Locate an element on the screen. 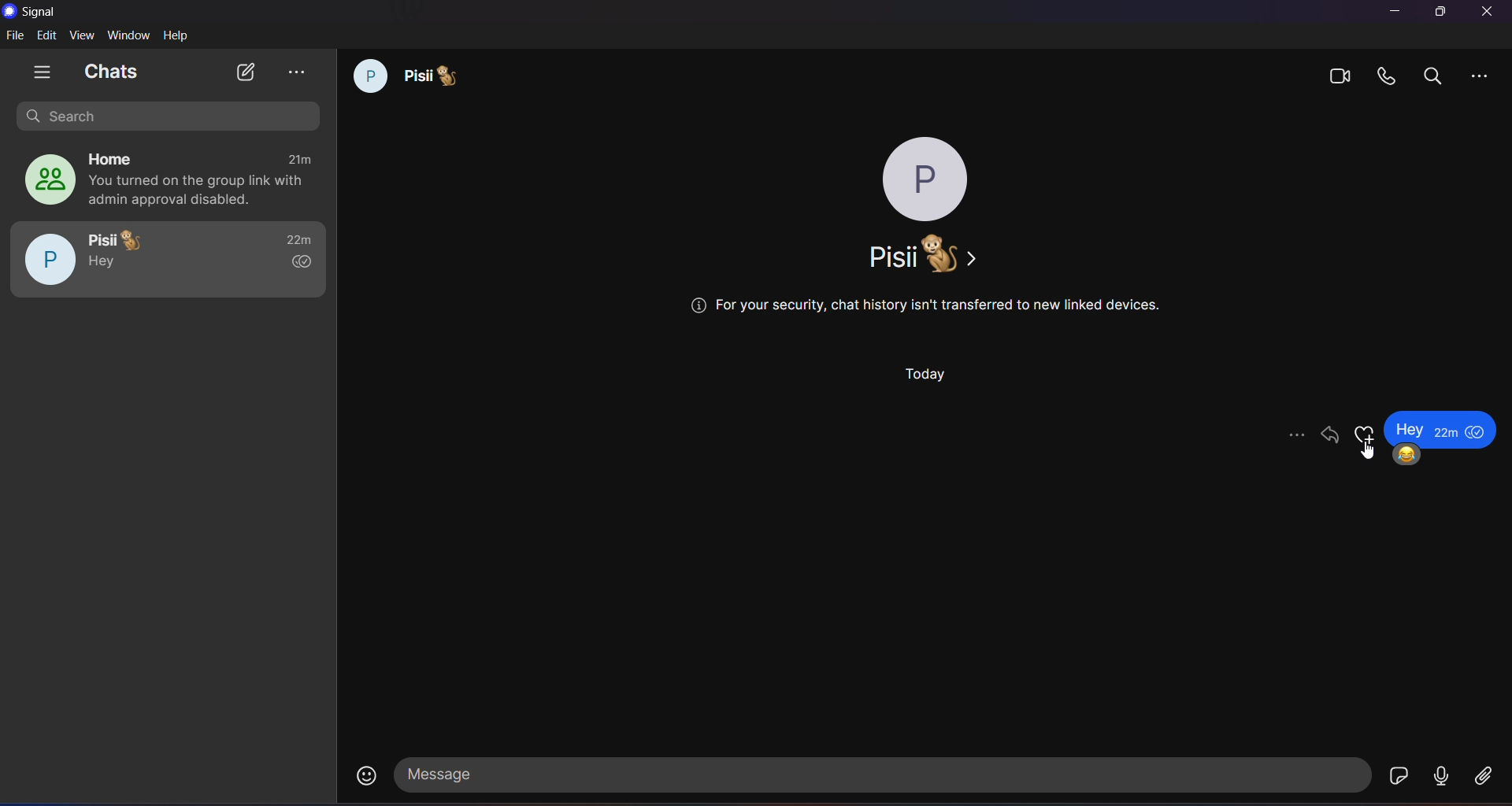  view is located at coordinates (83, 35).